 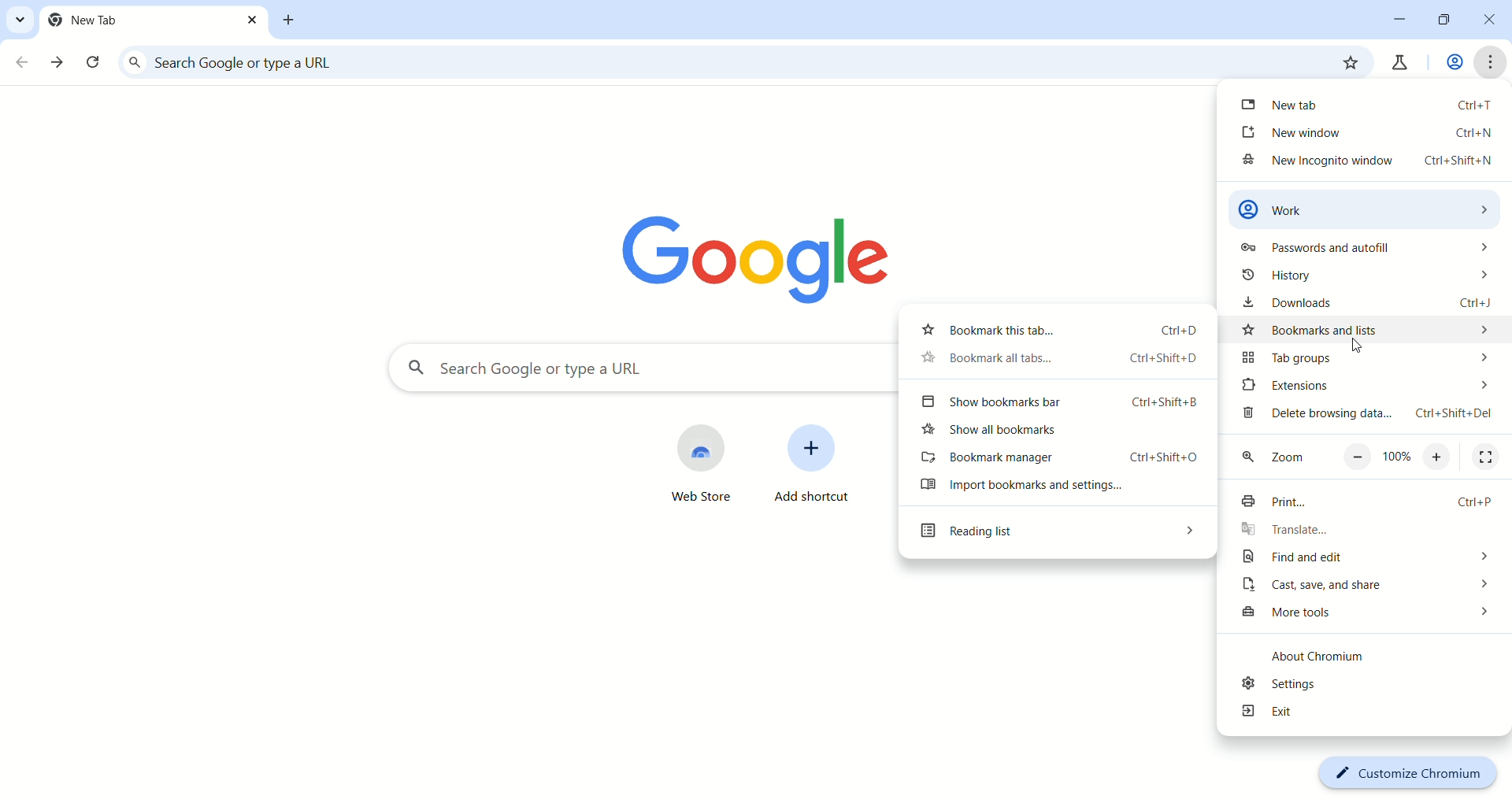 I want to click on chrome lab, so click(x=1398, y=66).